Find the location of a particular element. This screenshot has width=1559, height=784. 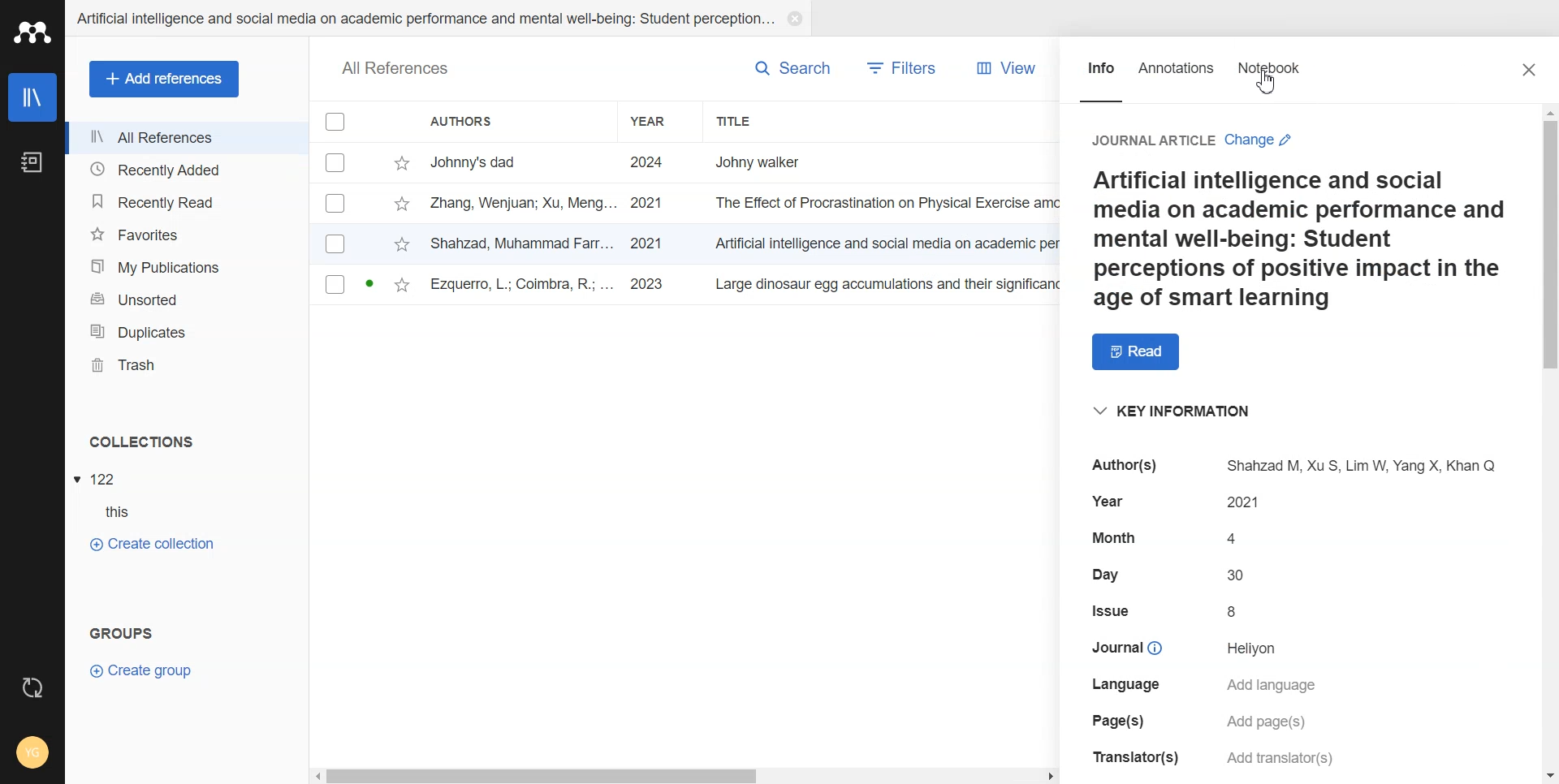

a paragraph on Ai and social media smart learning is located at coordinates (1298, 240).